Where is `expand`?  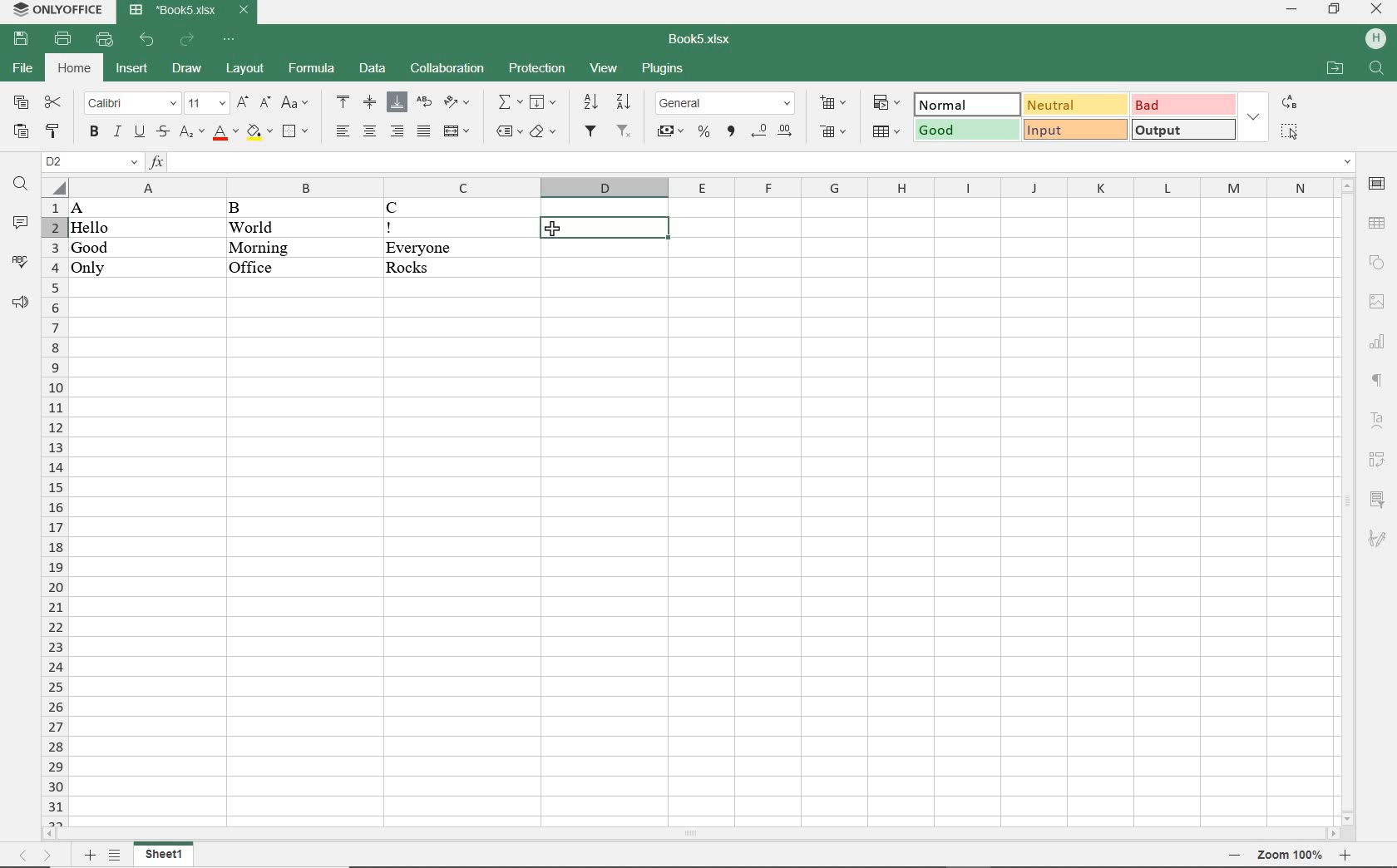
expand is located at coordinates (1255, 116).